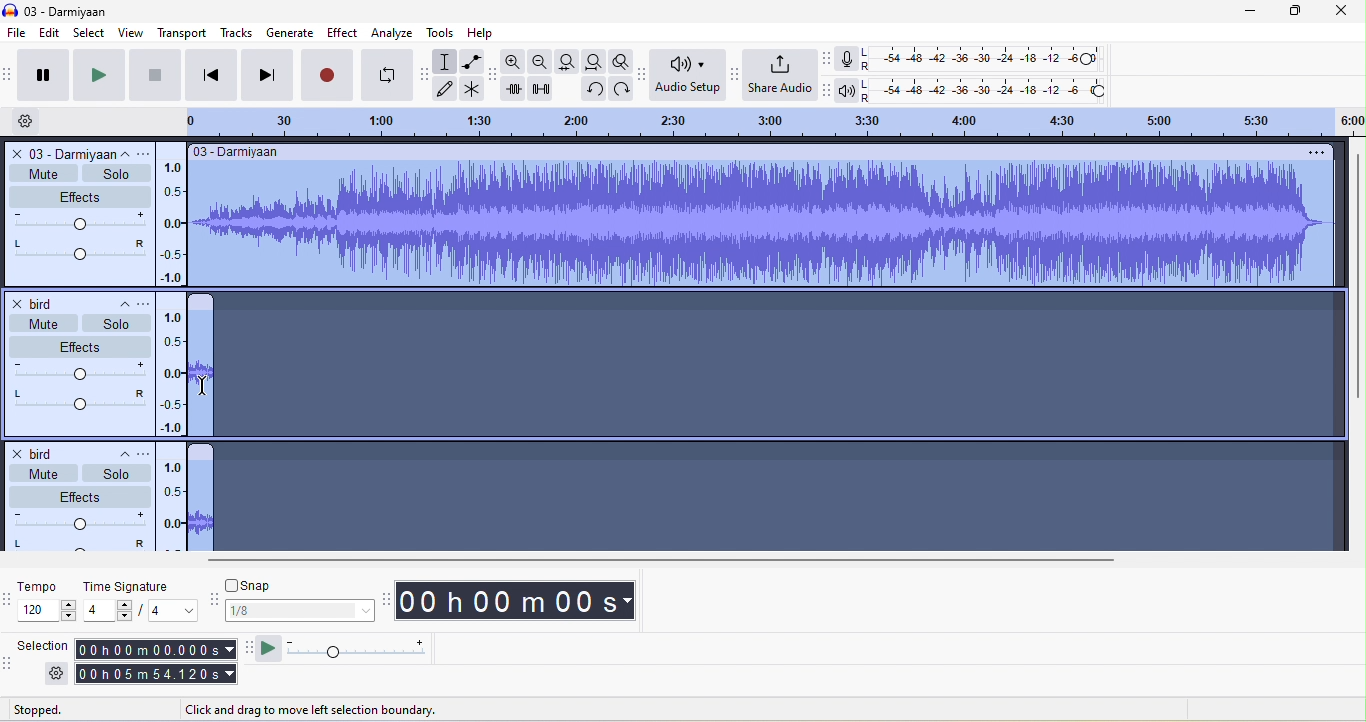 This screenshot has width=1366, height=722. I want to click on click and drag to move left selection boundary, so click(316, 710).